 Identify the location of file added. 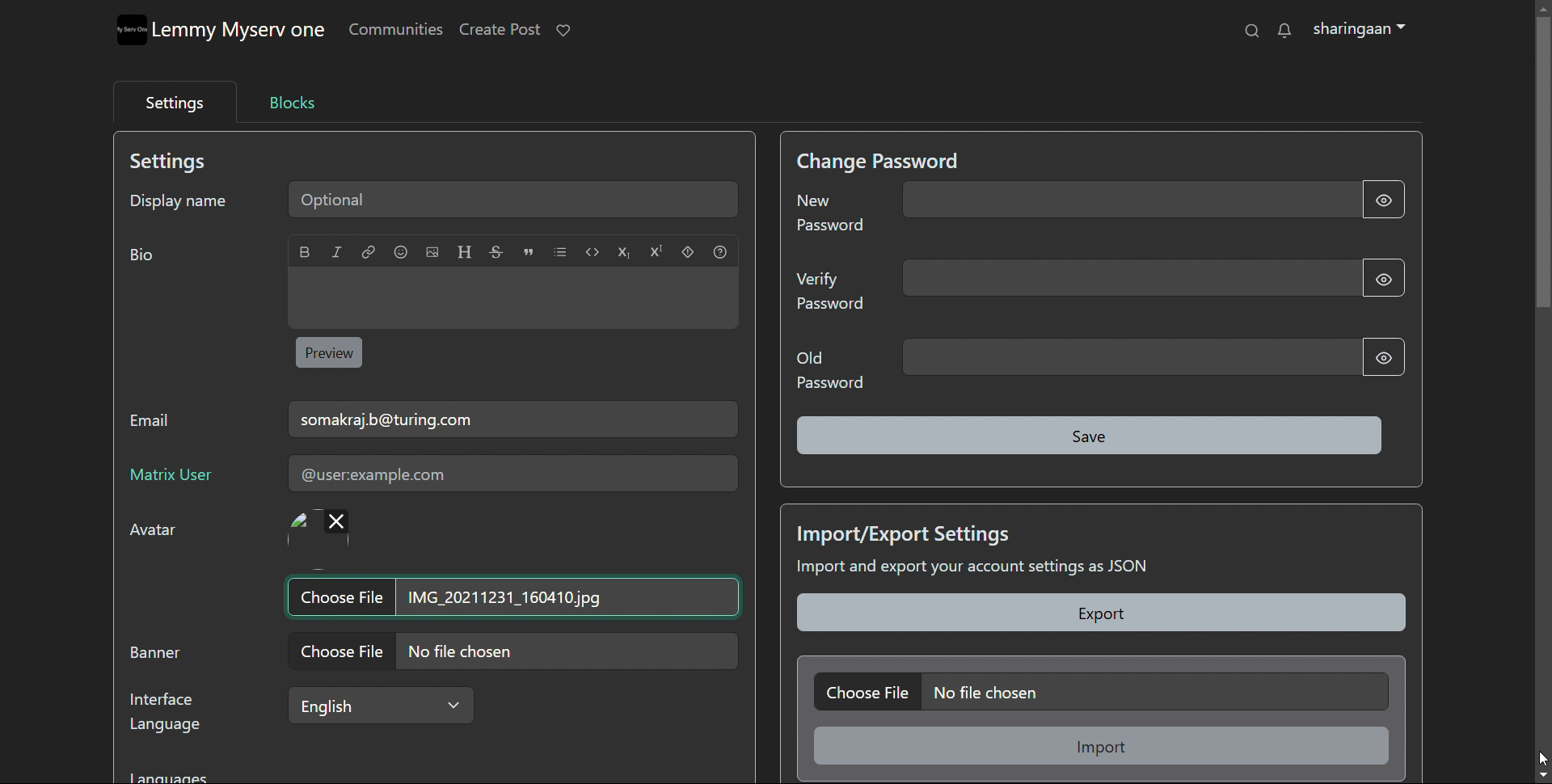
(576, 595).